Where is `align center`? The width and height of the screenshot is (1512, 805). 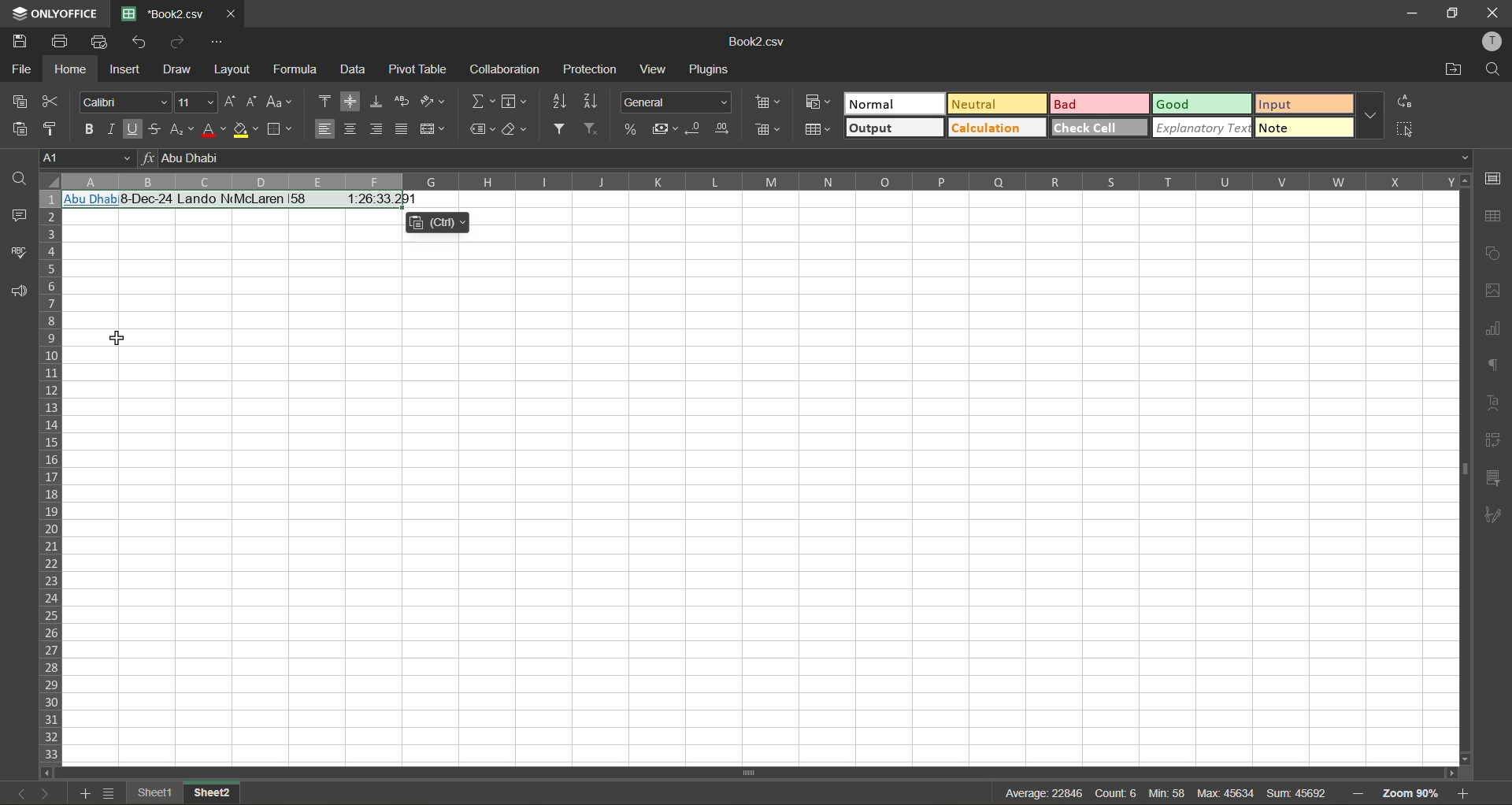 align center is located at coordinates (351, 128).